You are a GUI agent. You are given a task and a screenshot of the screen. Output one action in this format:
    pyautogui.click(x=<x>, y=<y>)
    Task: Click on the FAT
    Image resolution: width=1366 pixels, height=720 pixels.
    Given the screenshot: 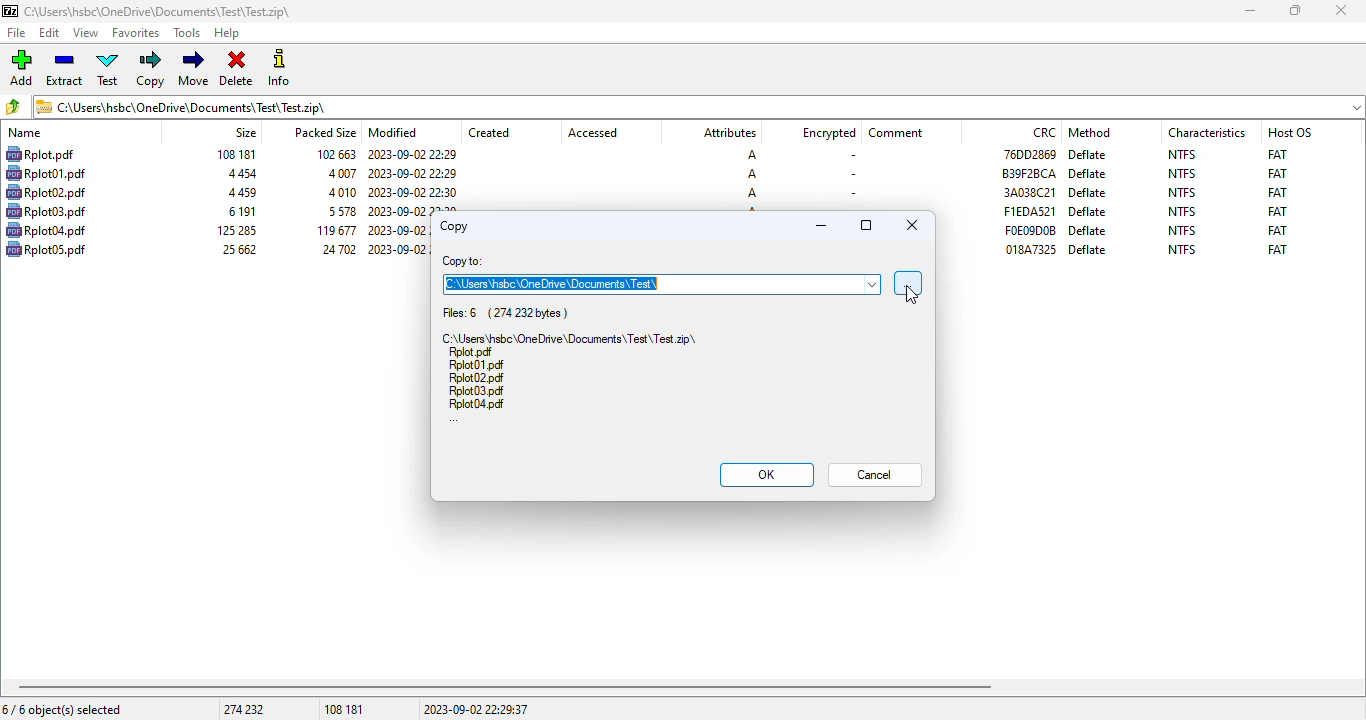 What is the action you would take?
    pyautogui.click(x=1277, y=192)
    